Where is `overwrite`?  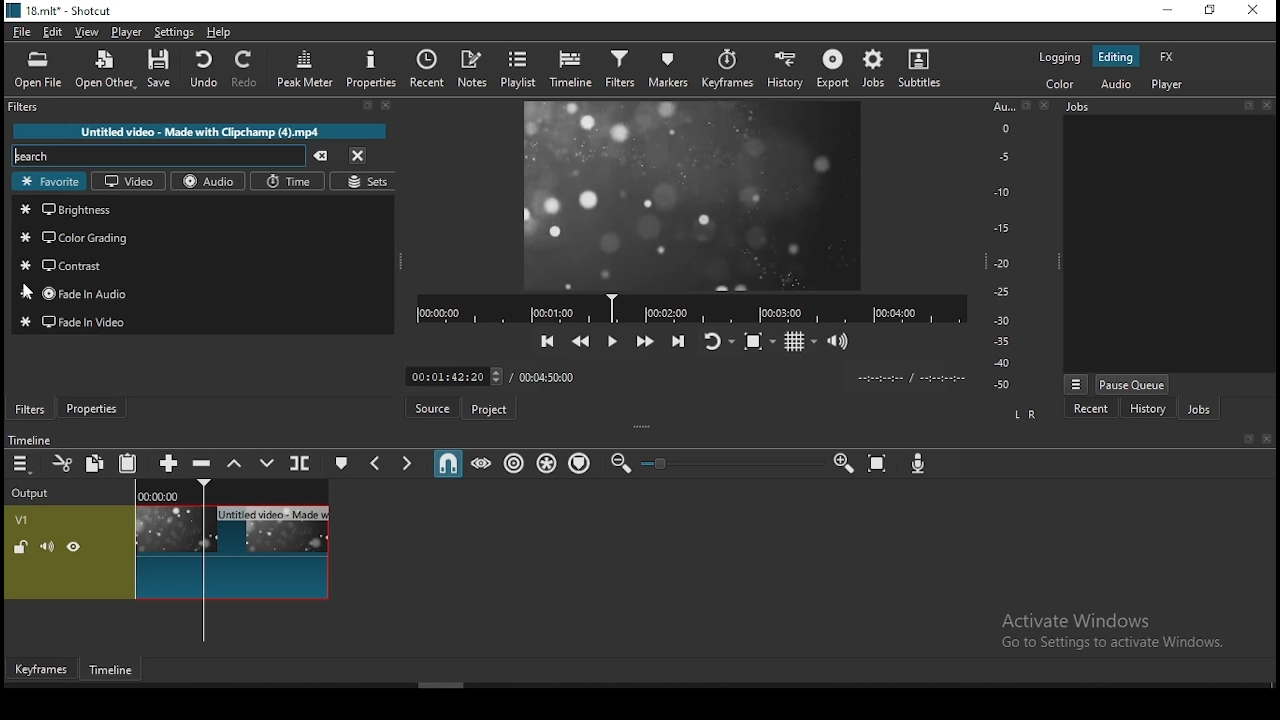
overwrite is located at coordinates (266, 462).